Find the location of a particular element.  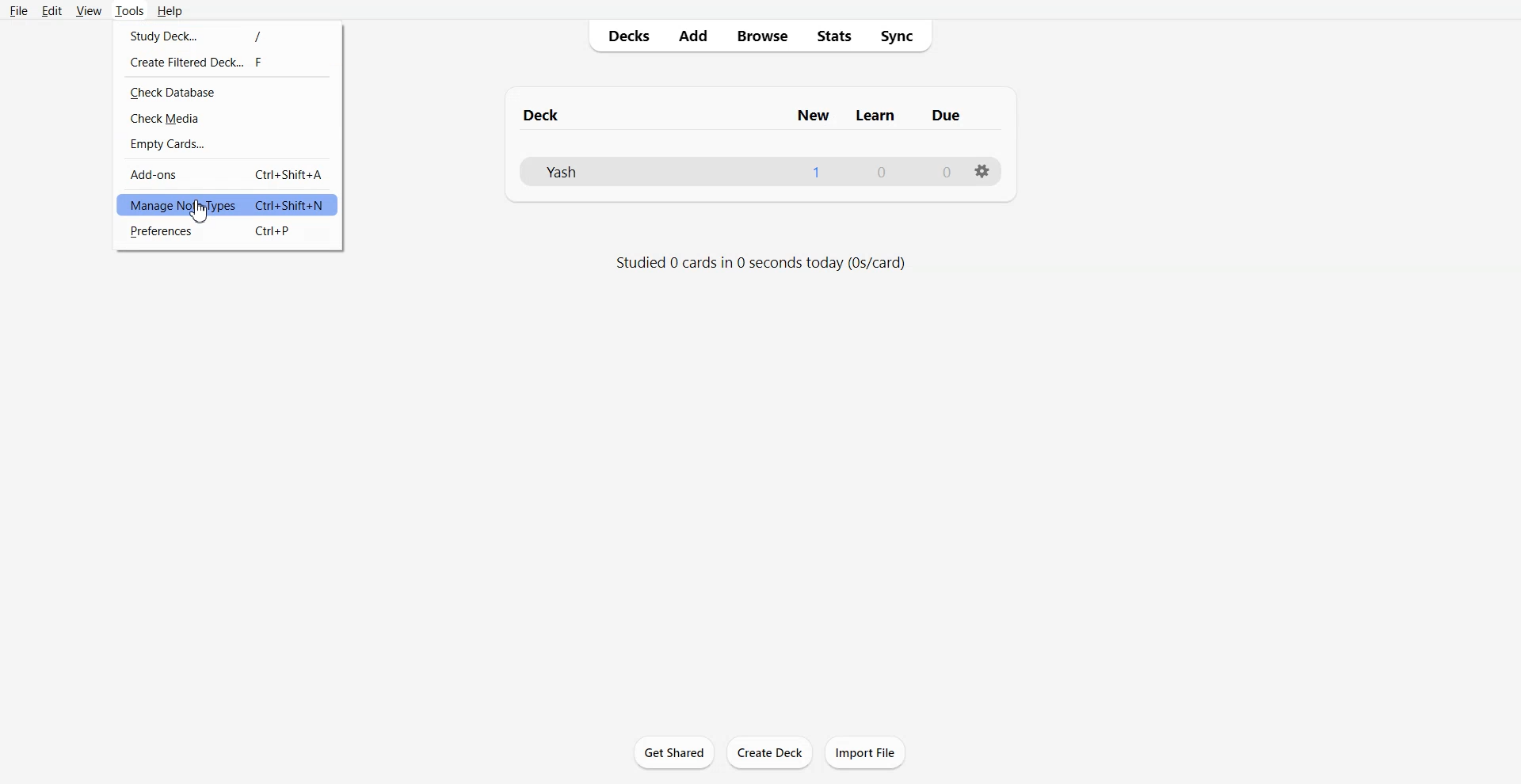

View is located at coordinates (89, 10).